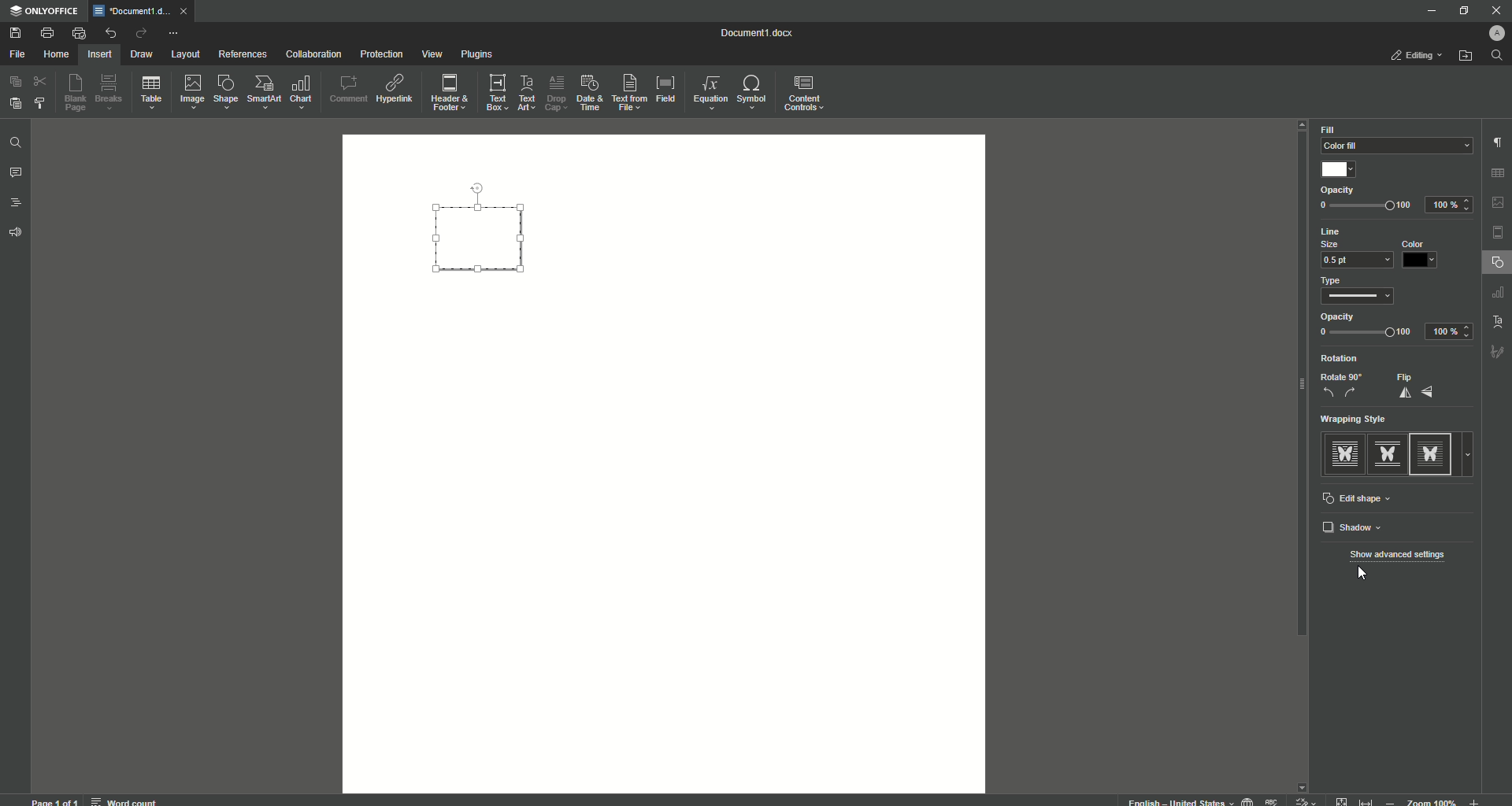  I want to click on Content Controls, so click(806, 95).